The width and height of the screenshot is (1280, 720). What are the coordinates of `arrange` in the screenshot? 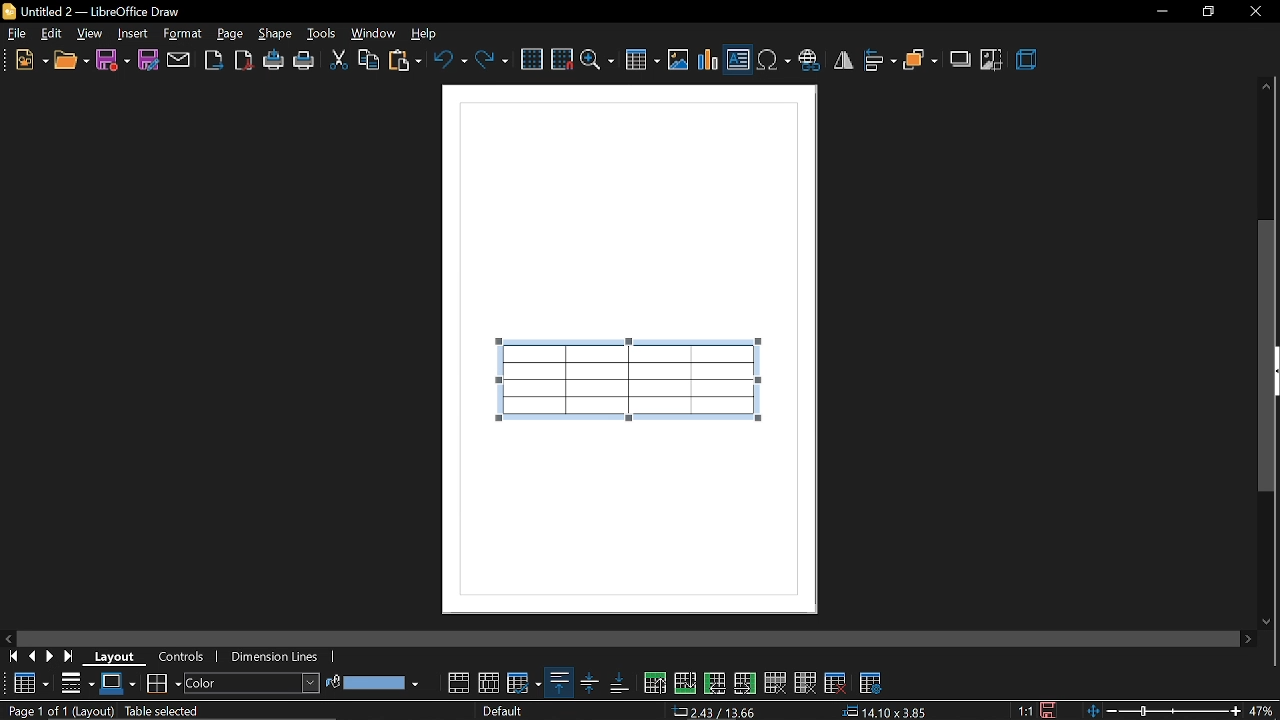 It's located at (920, 57).